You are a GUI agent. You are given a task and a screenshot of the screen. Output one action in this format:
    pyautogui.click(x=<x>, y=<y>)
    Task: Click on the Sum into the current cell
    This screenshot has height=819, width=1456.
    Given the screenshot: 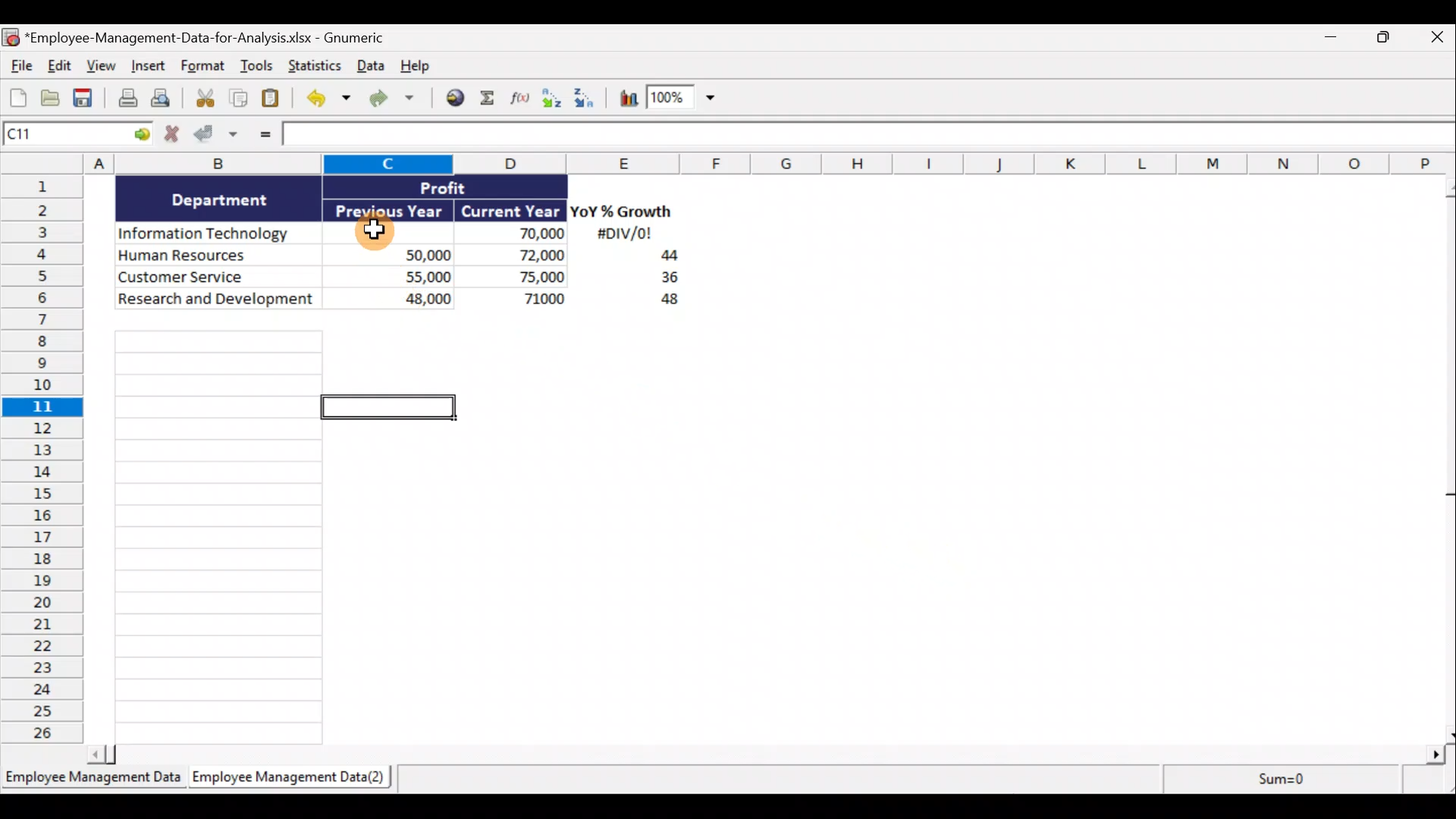 What is the action you would take?
    pyautogui.click(x=489, y=99)
    